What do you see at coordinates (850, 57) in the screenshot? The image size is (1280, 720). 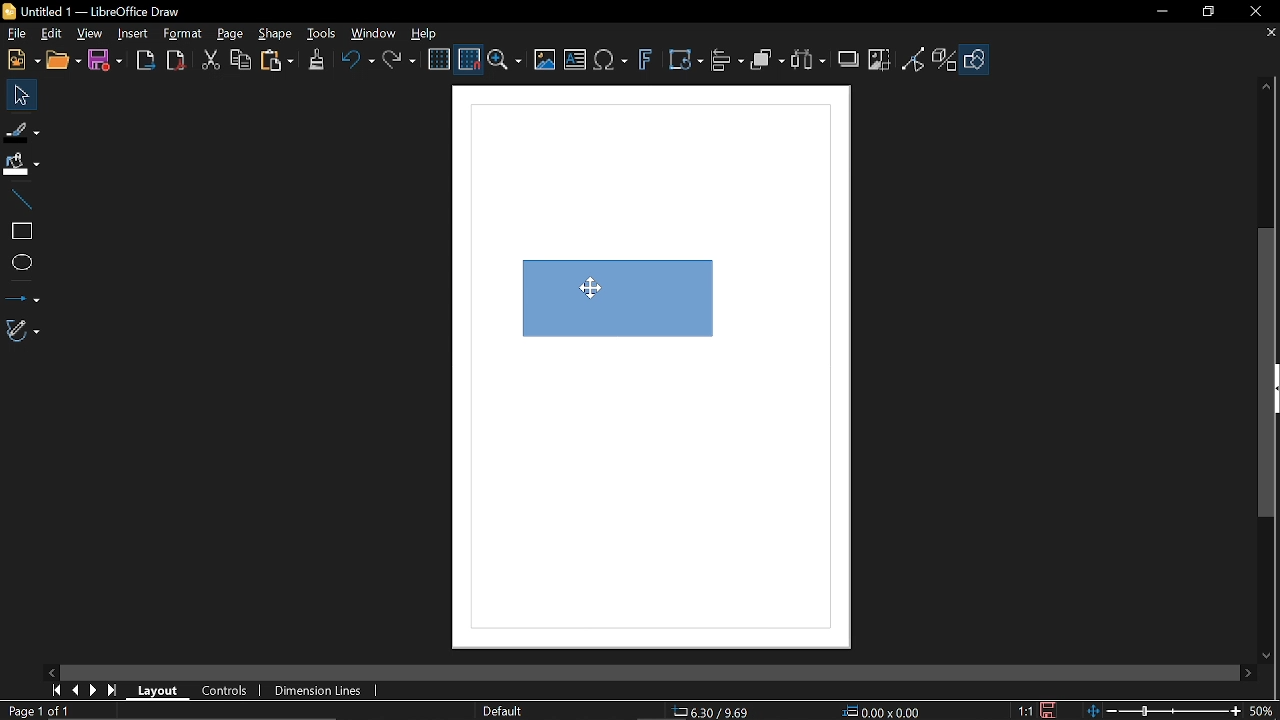 I see `Shadow` at bounding box center [850, 57].